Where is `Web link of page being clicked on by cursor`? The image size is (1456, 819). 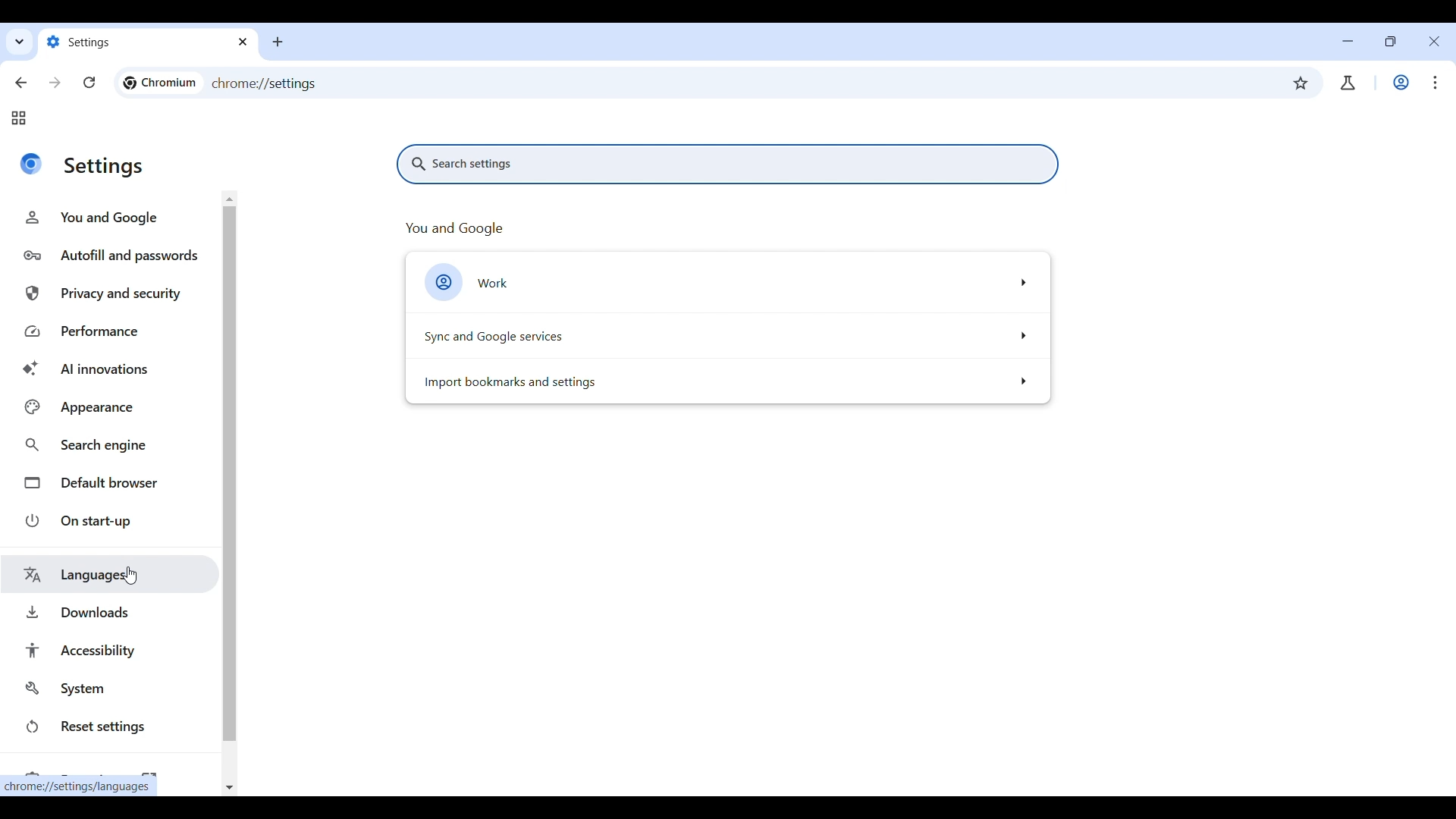 Web link of page being clicked on by cursor is located at coordinates (79, 786).